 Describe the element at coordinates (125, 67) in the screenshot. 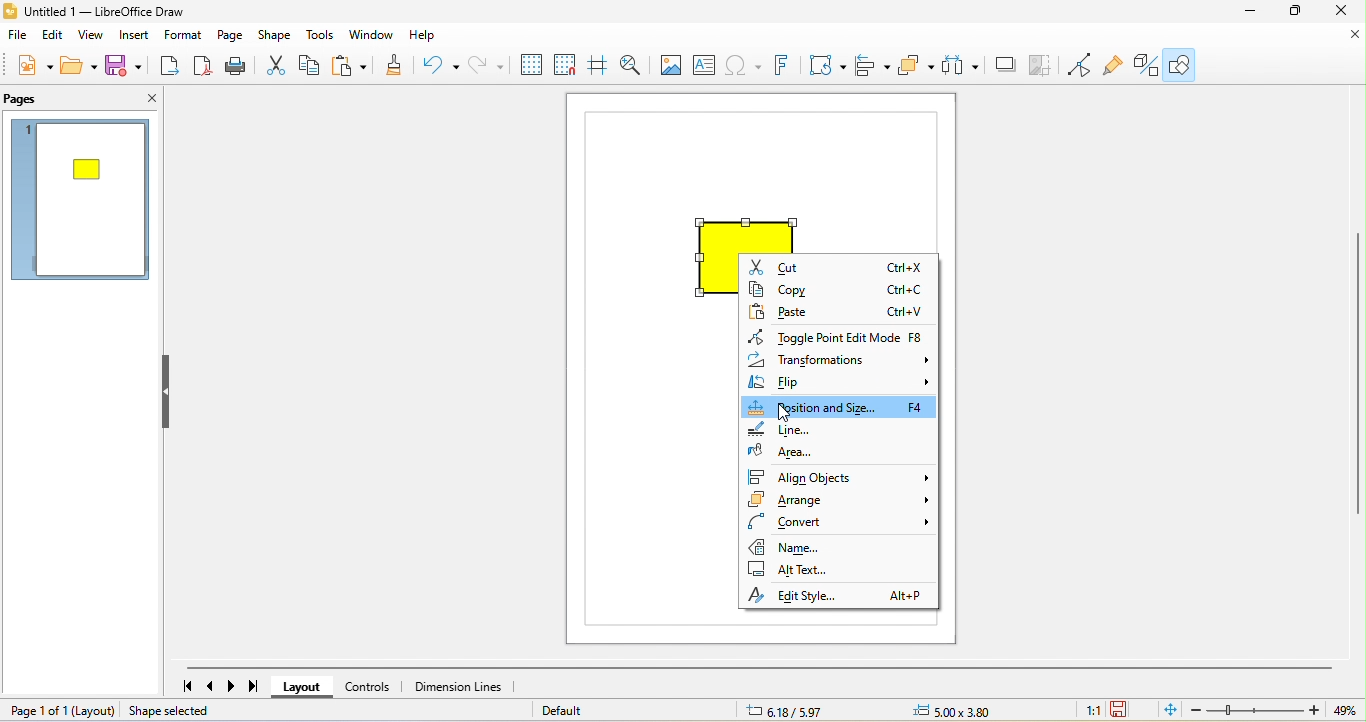

I see `save` at that location.